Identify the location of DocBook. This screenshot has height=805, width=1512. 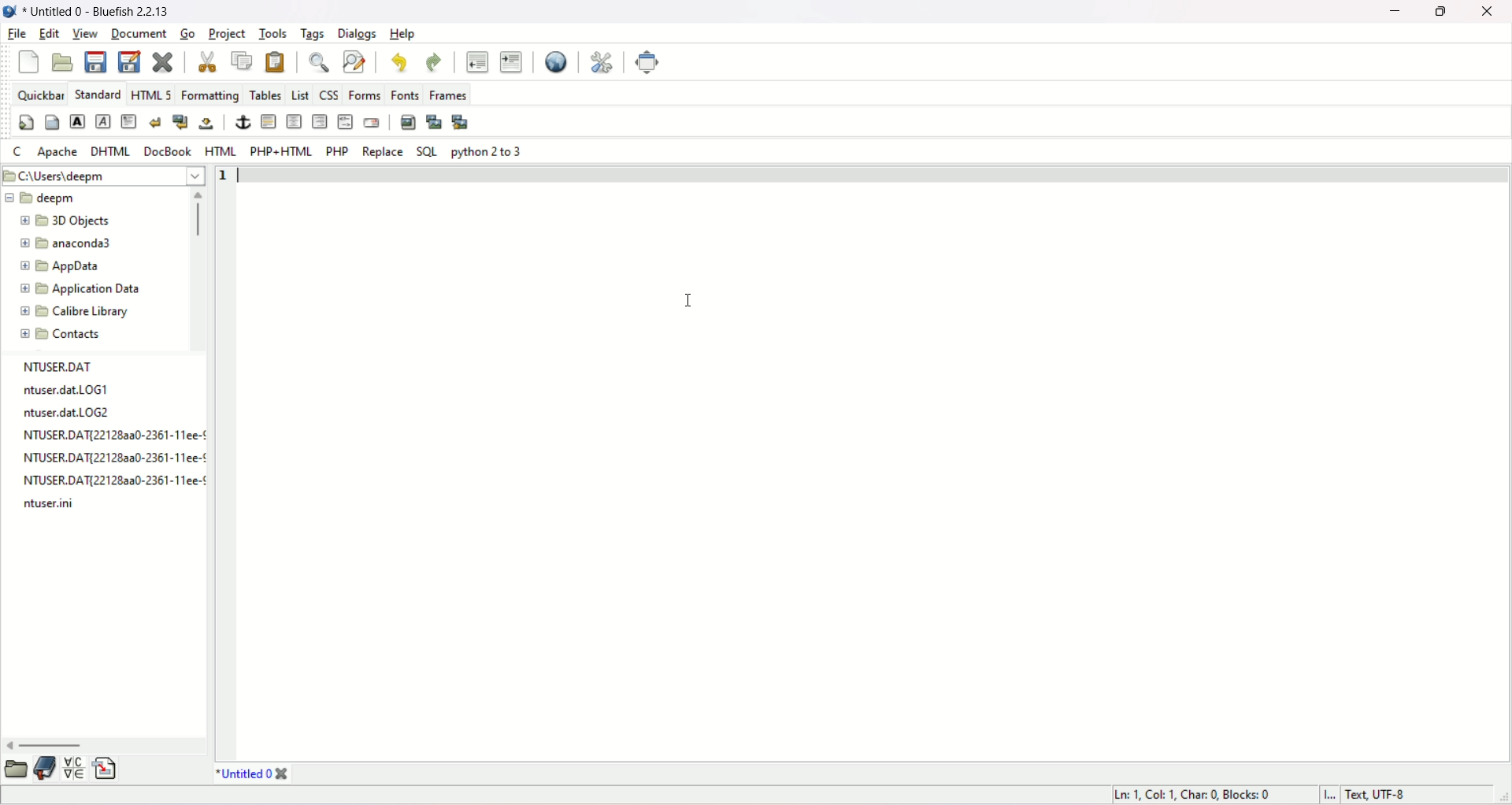
(167, 152).